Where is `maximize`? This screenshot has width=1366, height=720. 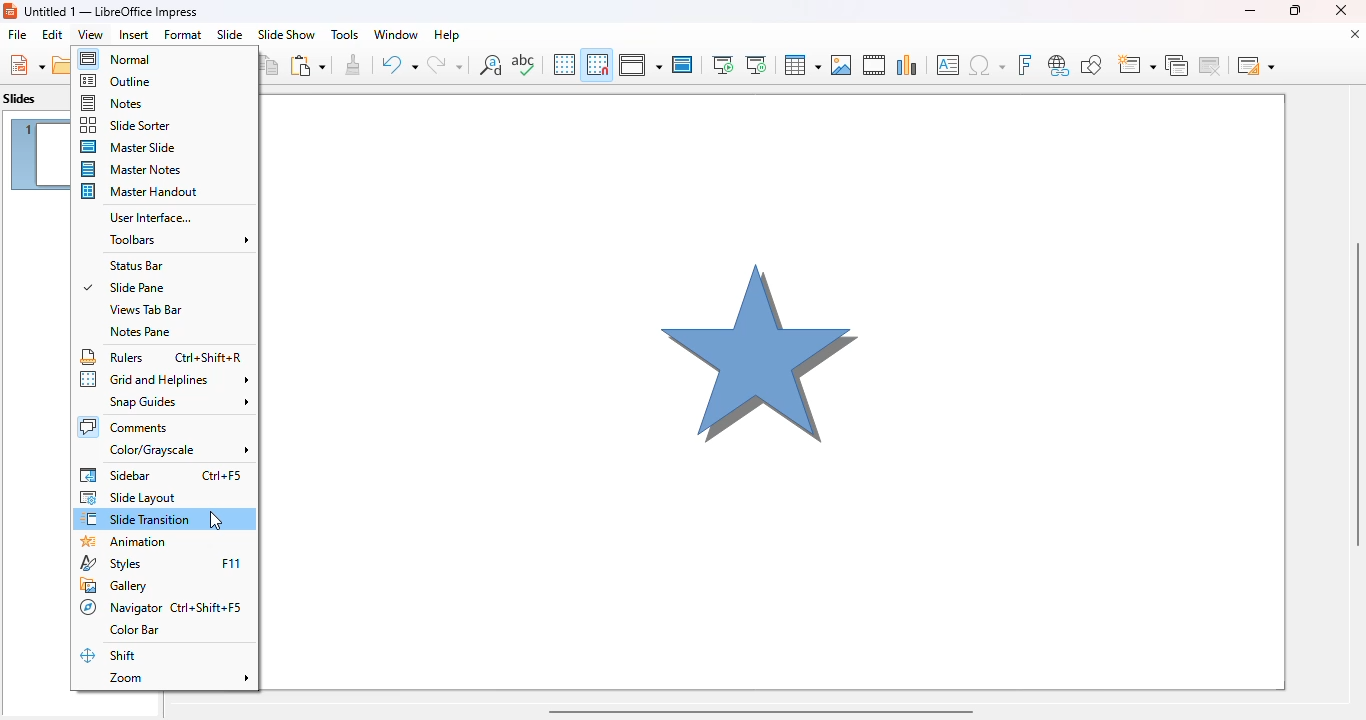 maximize is located at coordinates (1294, 10).